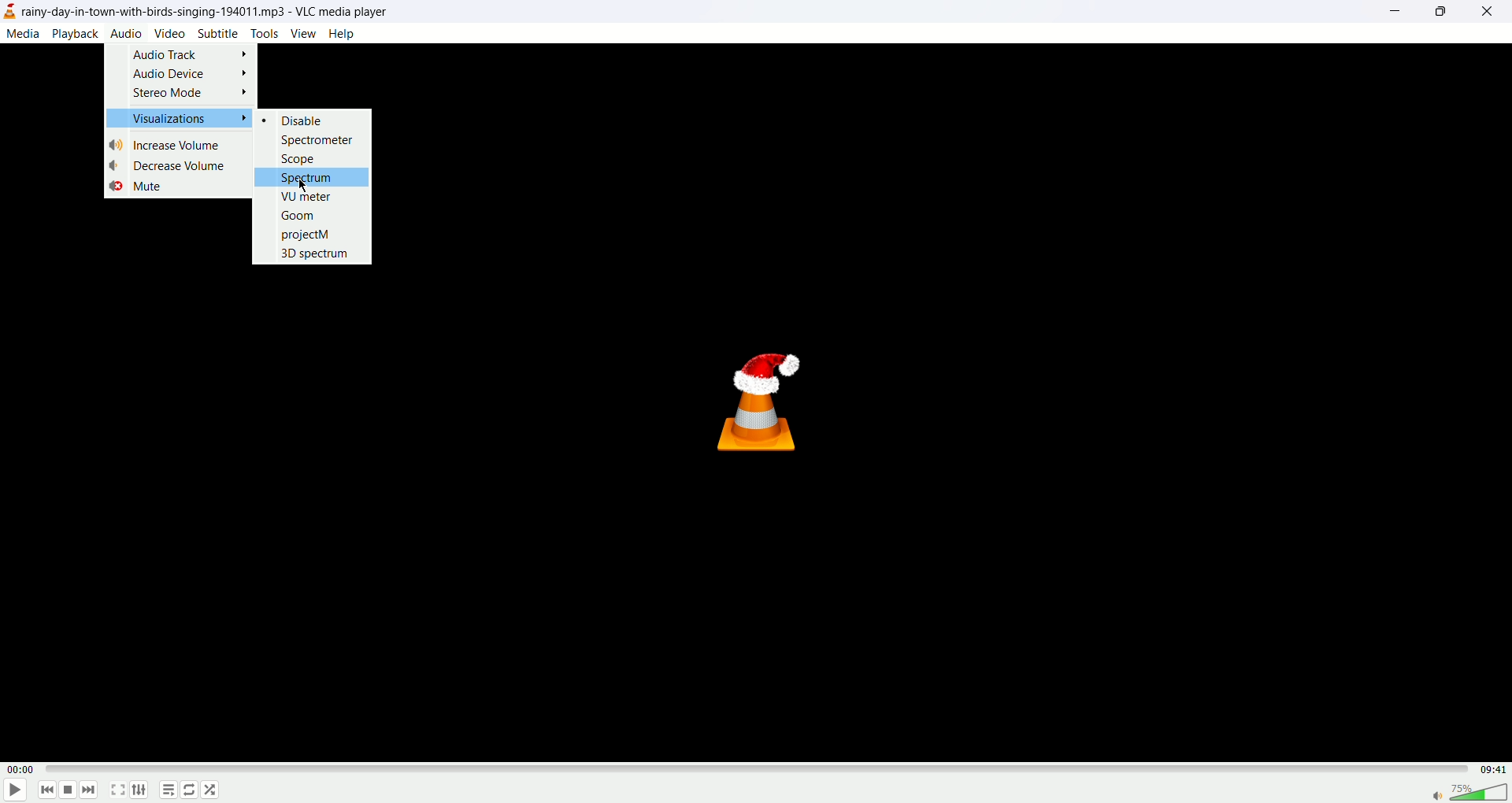  I want to click on playback, so click(77, 33).